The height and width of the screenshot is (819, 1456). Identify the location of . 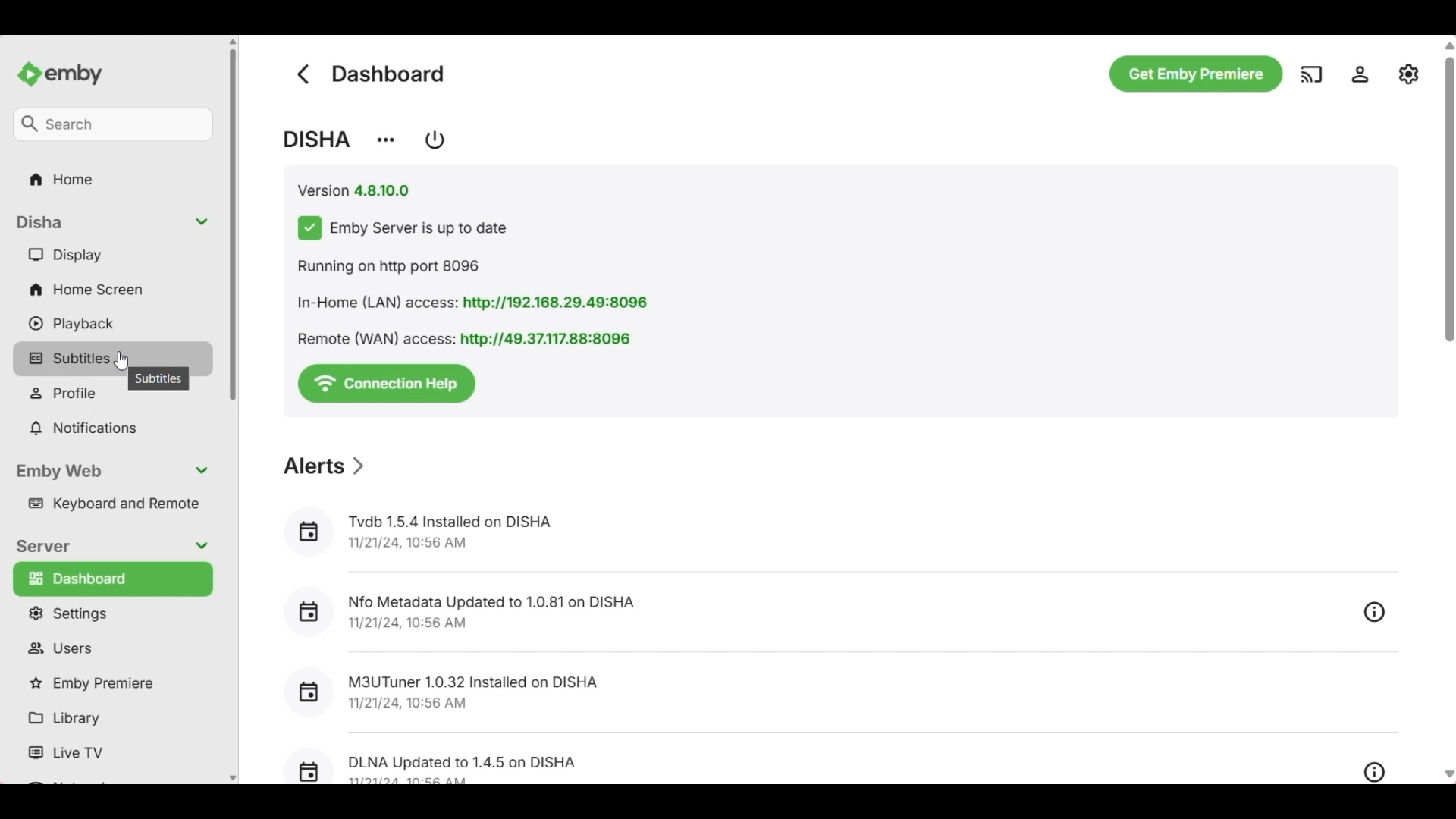
(772, 695).